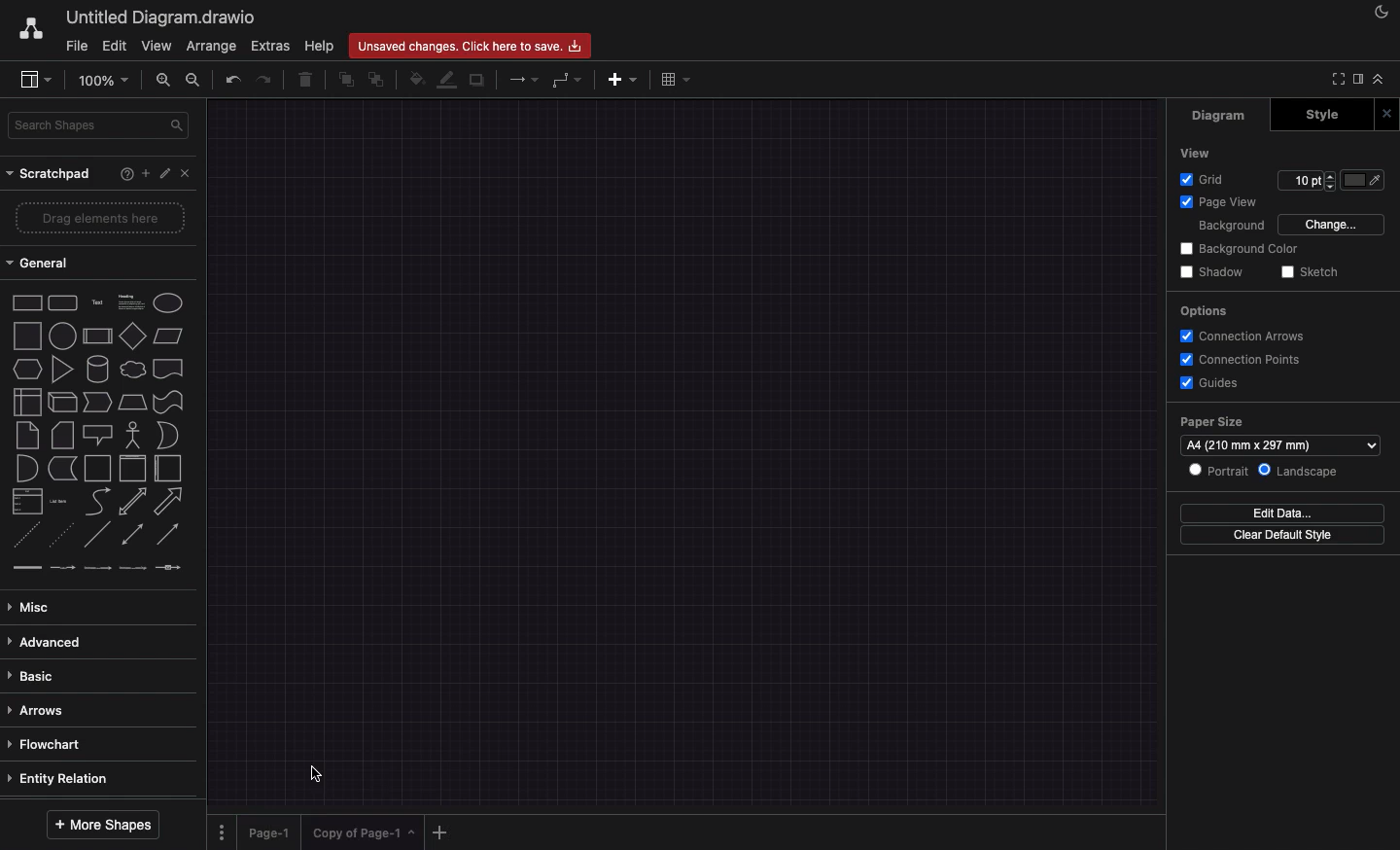 The width and height of the screenshot is (1400, 850). What do you see at coordinates (50, 643) in the screenshot?
I see `advanced` at bounding box center [50, 643].